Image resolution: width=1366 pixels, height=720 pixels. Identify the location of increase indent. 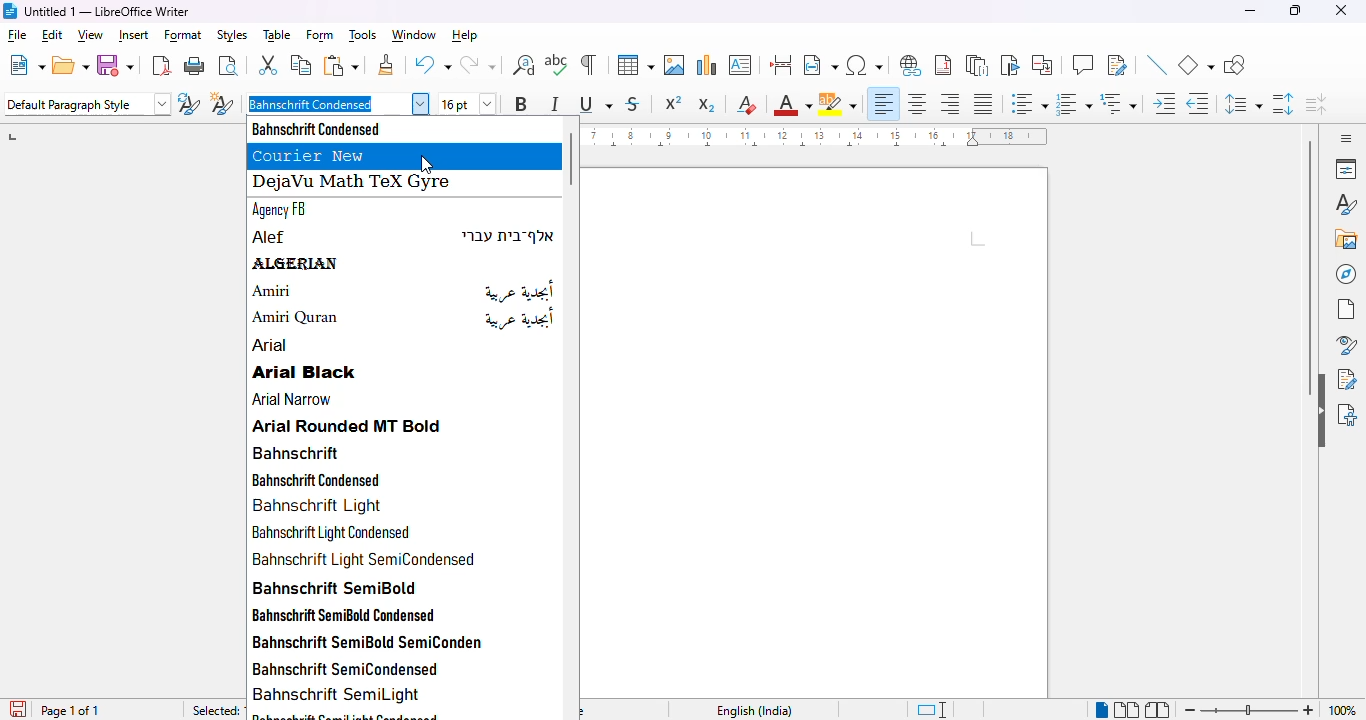
(1165, 104).